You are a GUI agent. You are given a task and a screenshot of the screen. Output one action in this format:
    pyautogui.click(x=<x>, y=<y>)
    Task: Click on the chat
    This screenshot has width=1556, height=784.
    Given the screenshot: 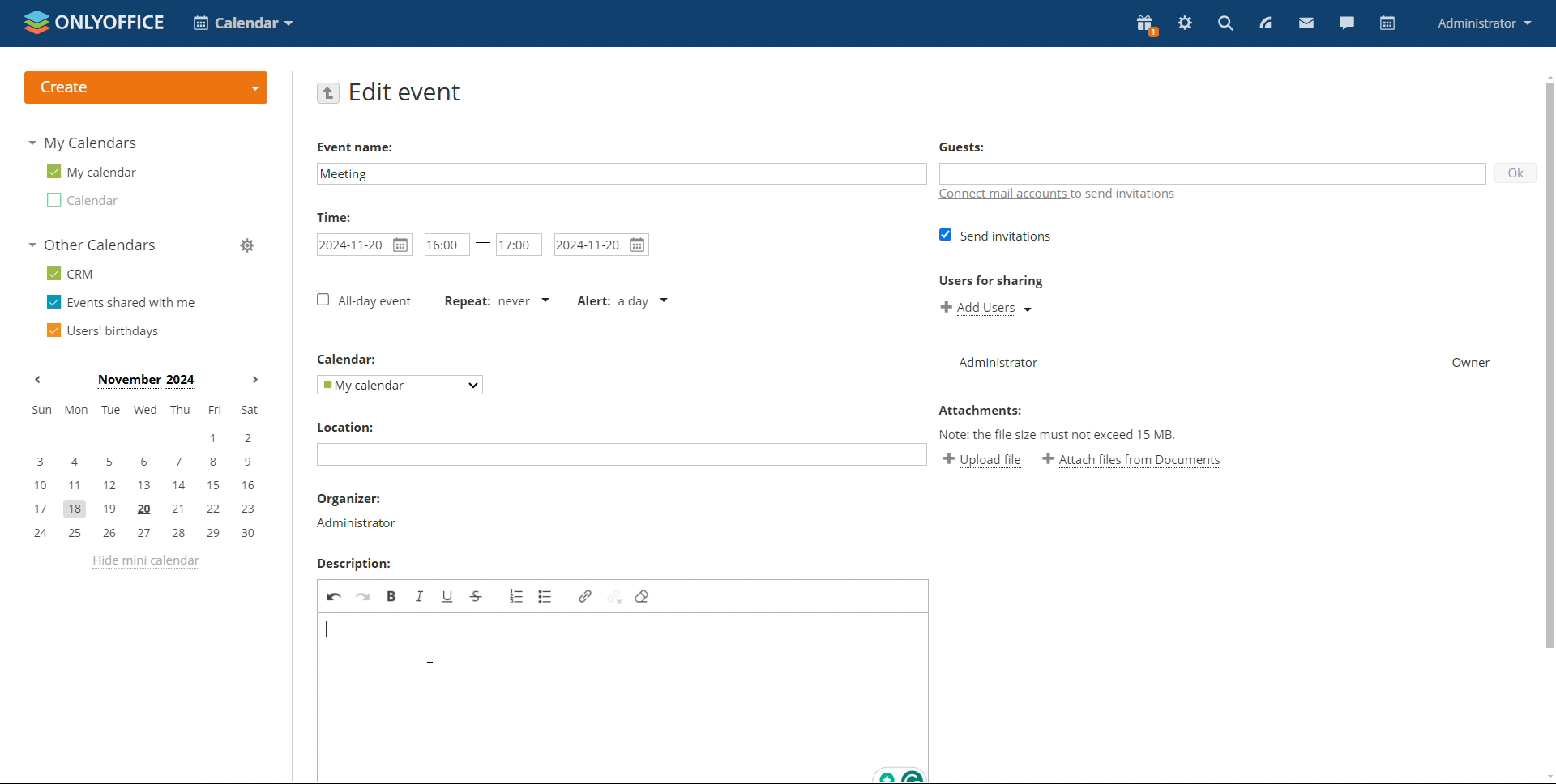 What is the action you would take?
    pyautogui.click(x=1346, y=23)
    